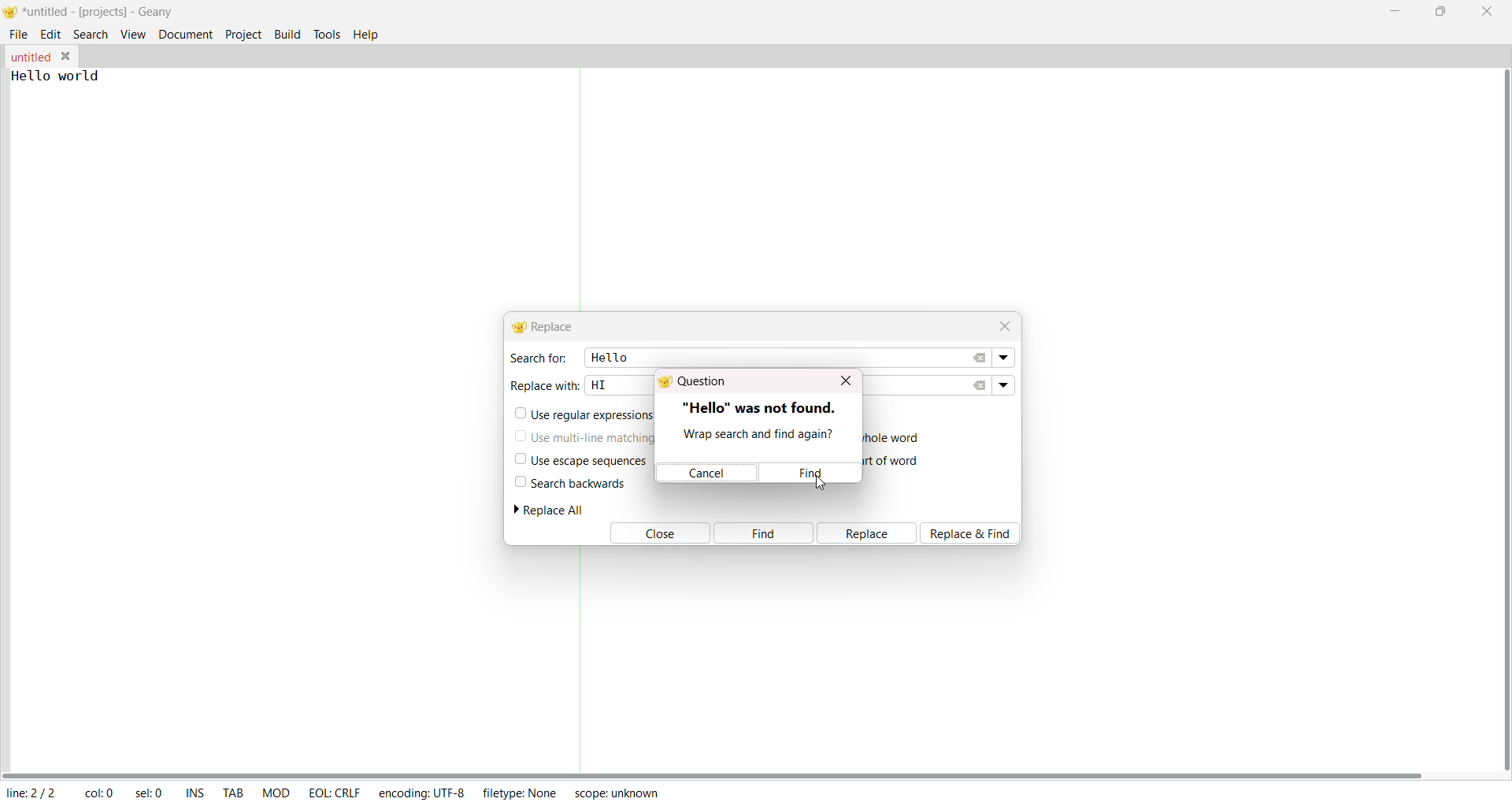  I want to click on help, so click(370, 33).